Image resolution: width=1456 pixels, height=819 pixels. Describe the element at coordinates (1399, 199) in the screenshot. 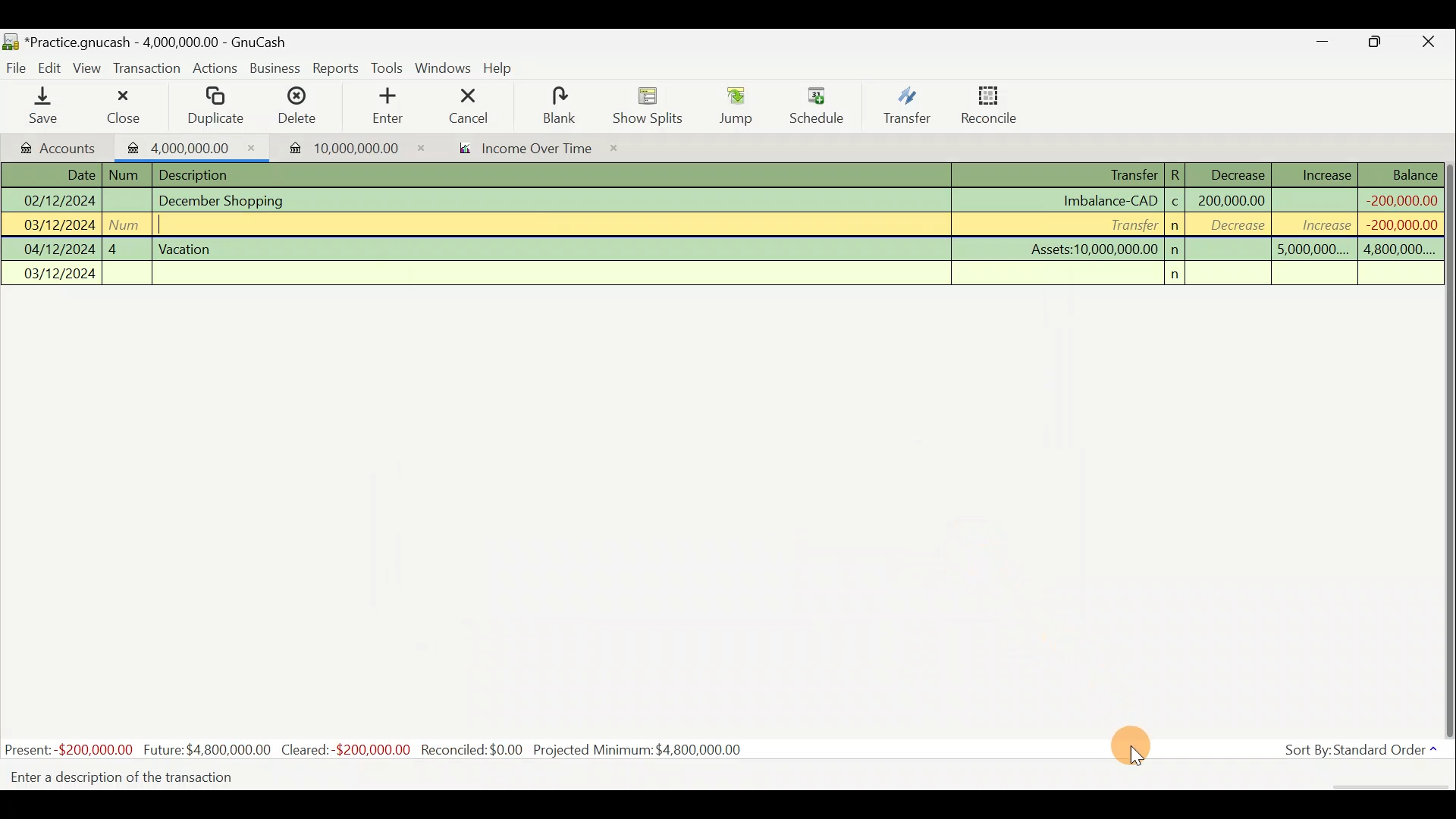

I see `-200,000,000` at that location.